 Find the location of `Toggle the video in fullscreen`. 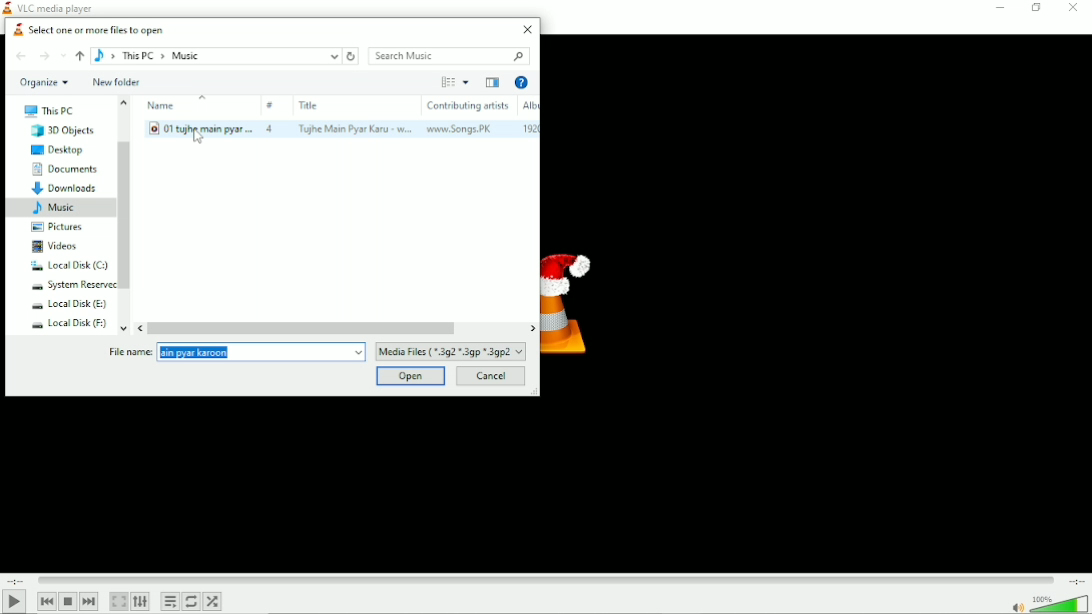

Toggle the video in fullscreen is located at coordinates (118, 601).